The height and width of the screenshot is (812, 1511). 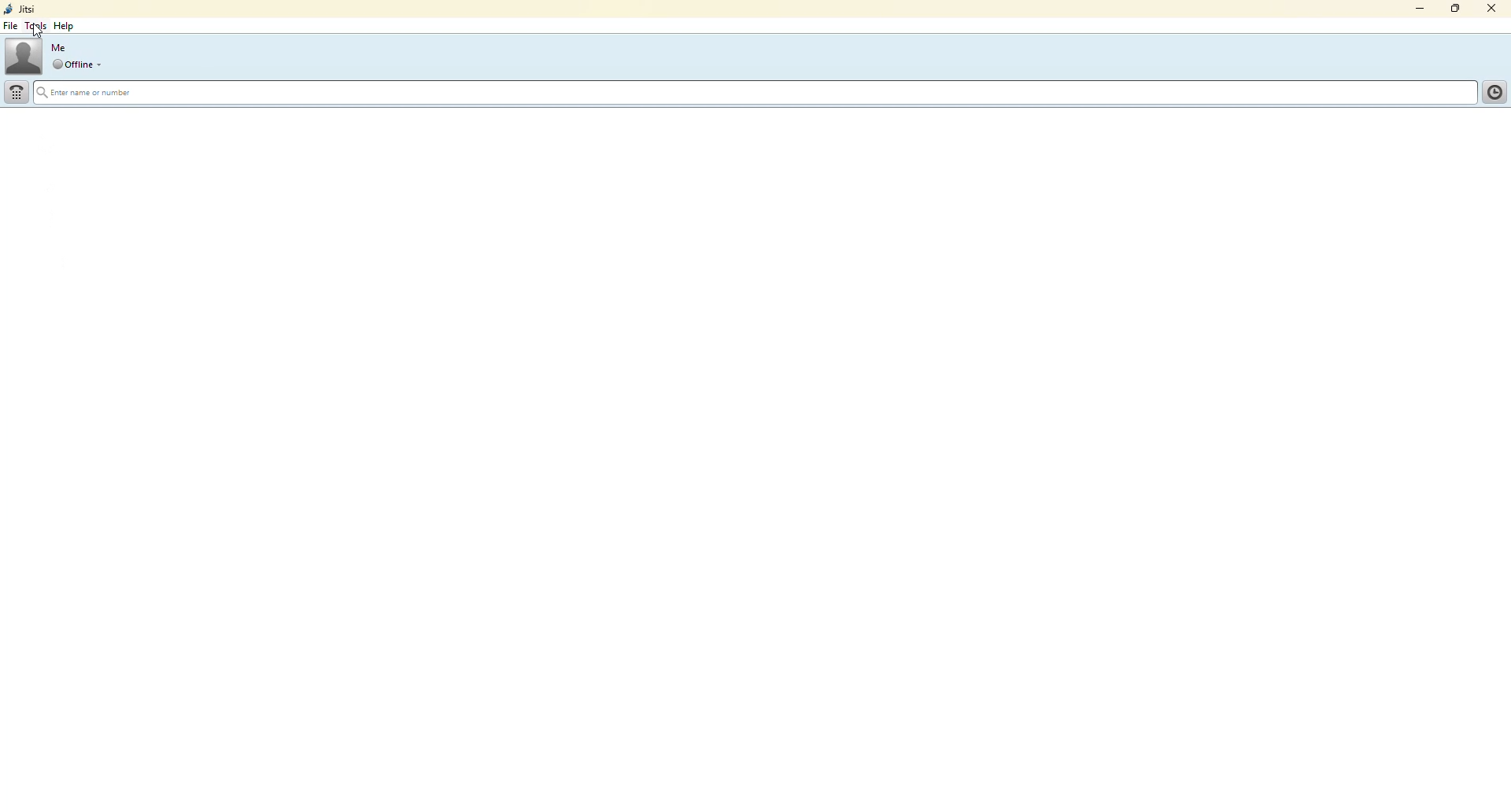 I want to click on Enter name or number, so click(x=101, y=93).